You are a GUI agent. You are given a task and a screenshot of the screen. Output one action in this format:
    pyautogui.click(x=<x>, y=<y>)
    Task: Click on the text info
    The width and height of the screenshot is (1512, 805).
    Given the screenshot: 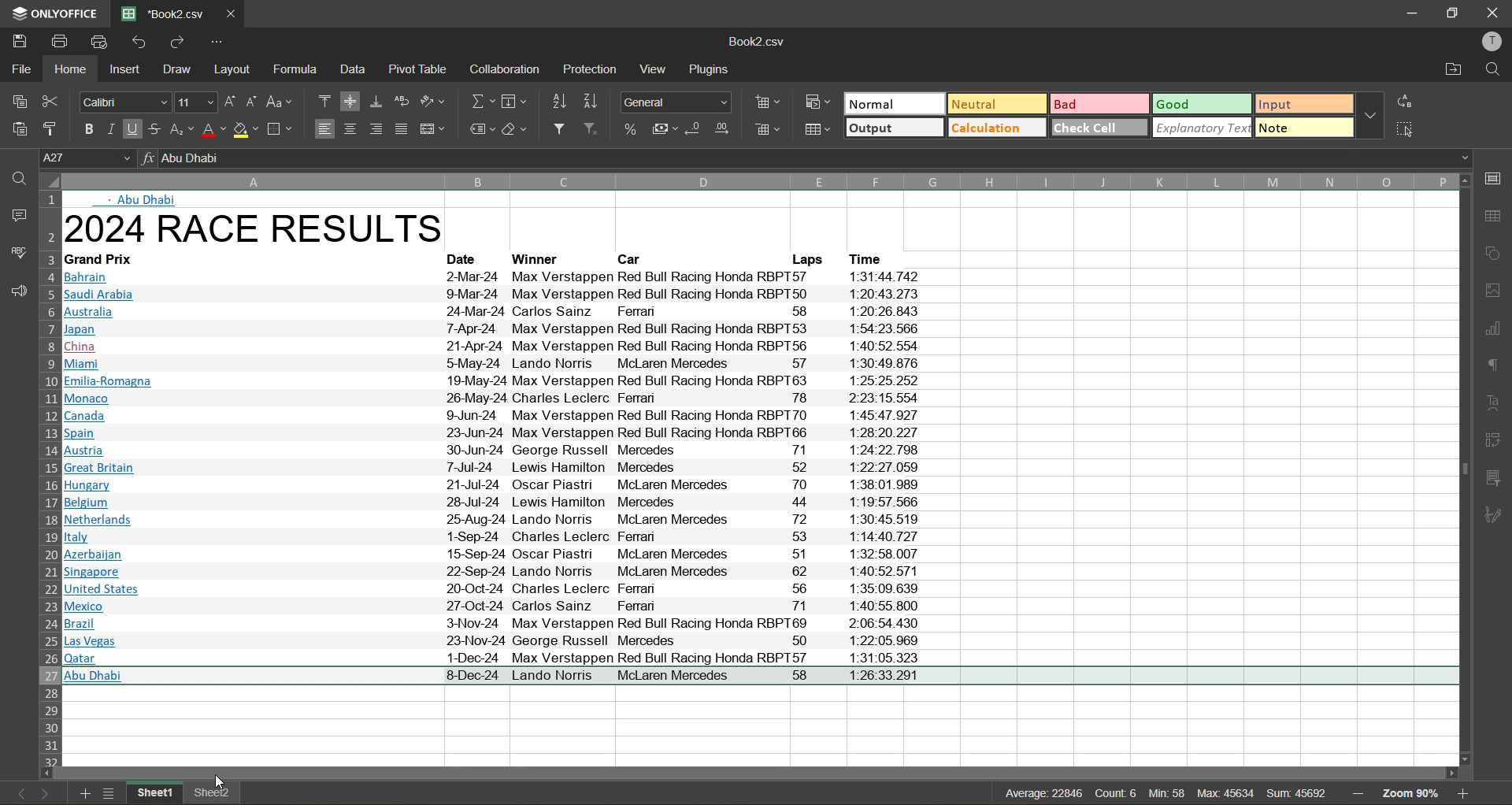 What is the action you would take?
    pyautogui.click(x=539, y=260)
    